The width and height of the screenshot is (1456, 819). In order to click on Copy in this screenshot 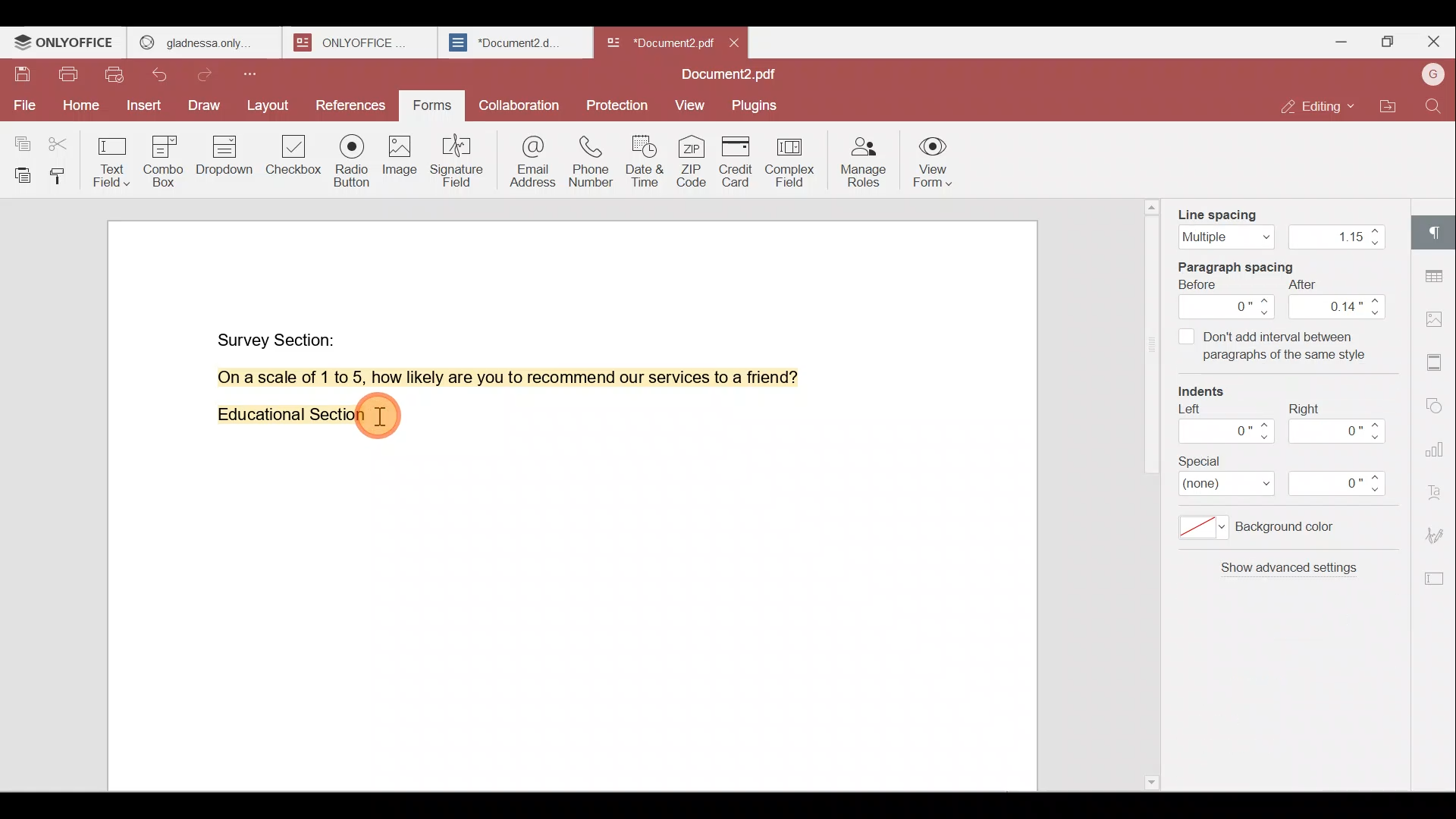, I will do `click(21, 137)`.